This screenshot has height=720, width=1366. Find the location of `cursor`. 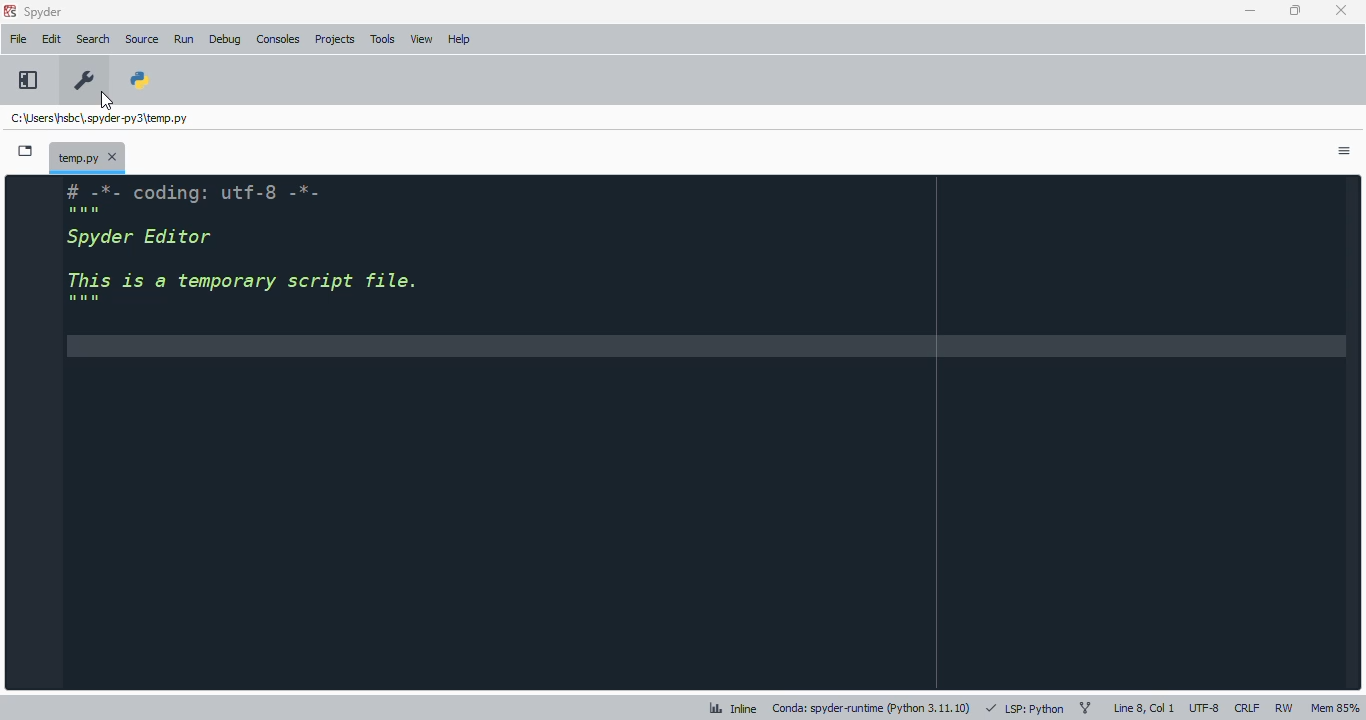

cursor is located at coordinates (107, 100).